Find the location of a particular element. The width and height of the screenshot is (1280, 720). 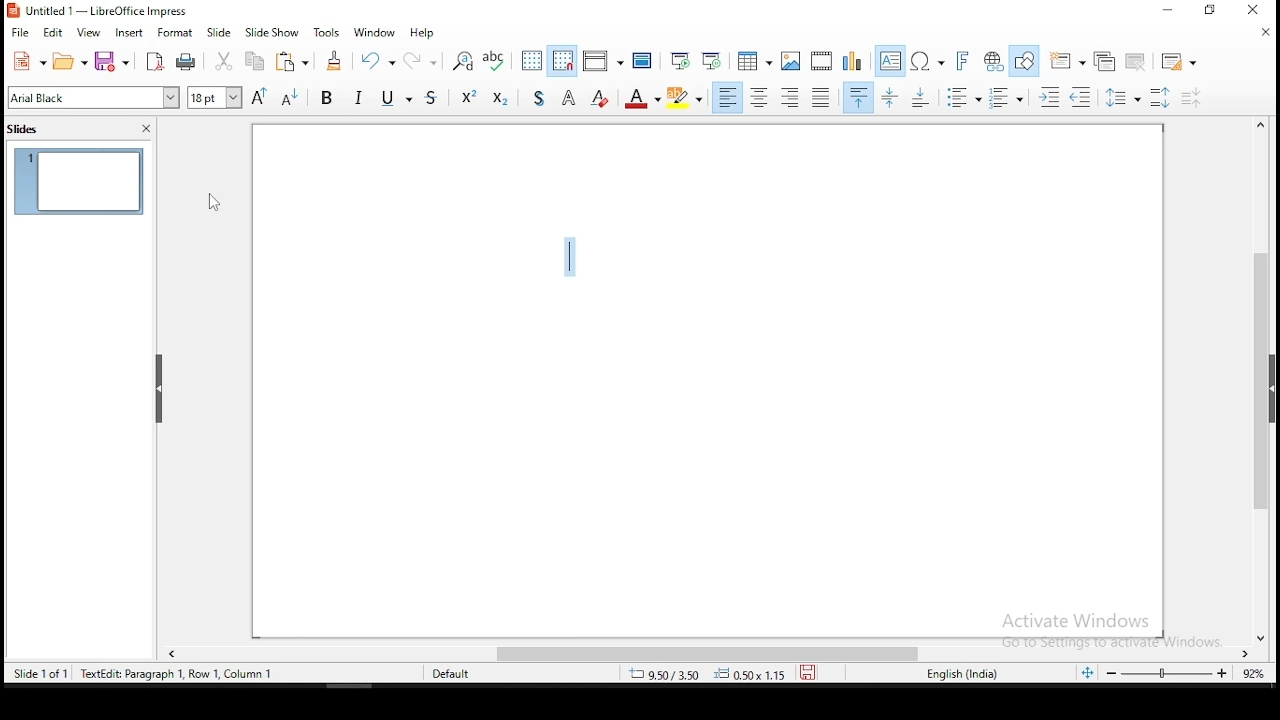

image is located at coordinates (792, 61).